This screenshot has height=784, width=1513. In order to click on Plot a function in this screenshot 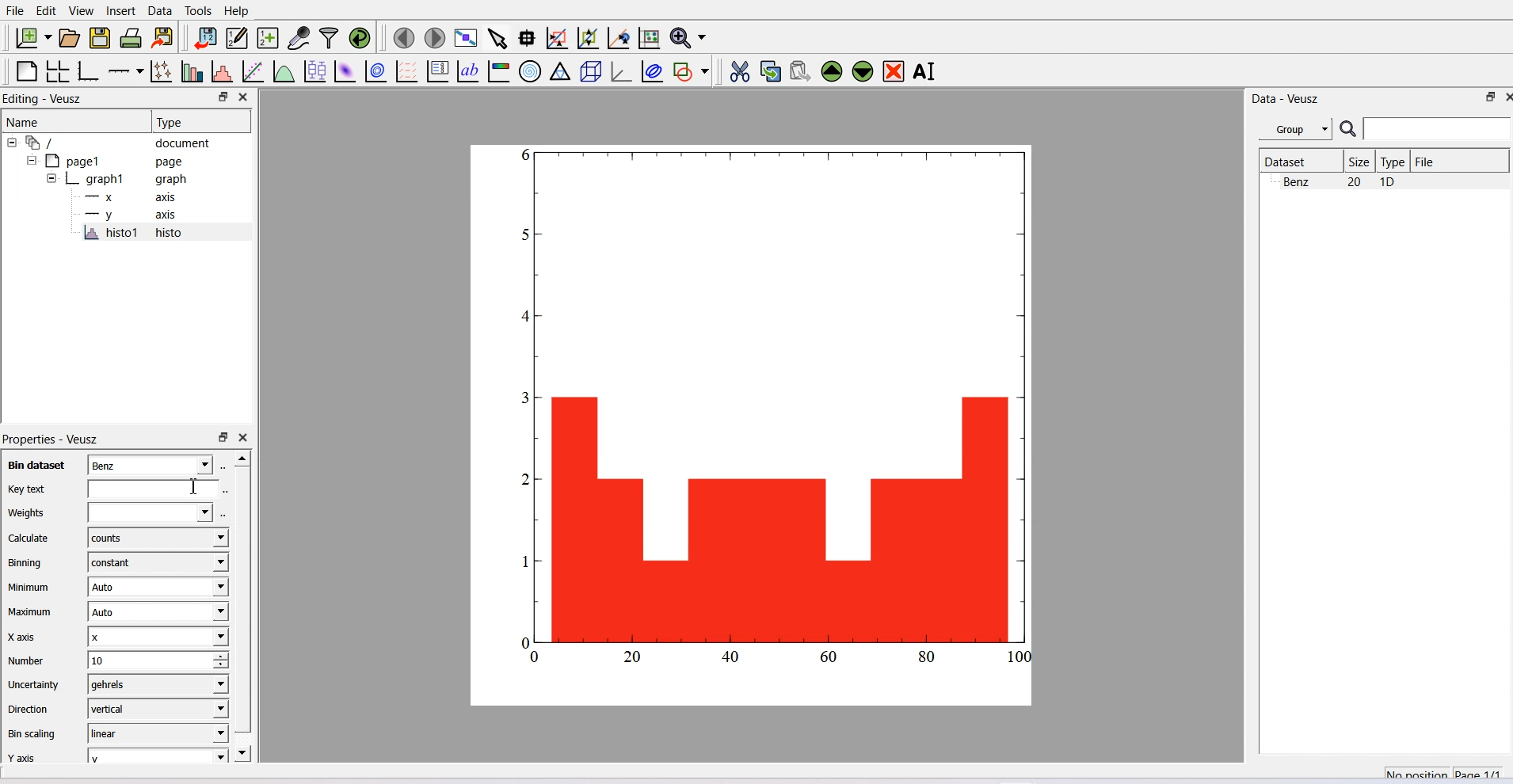, I will do `click(285, 70)`.